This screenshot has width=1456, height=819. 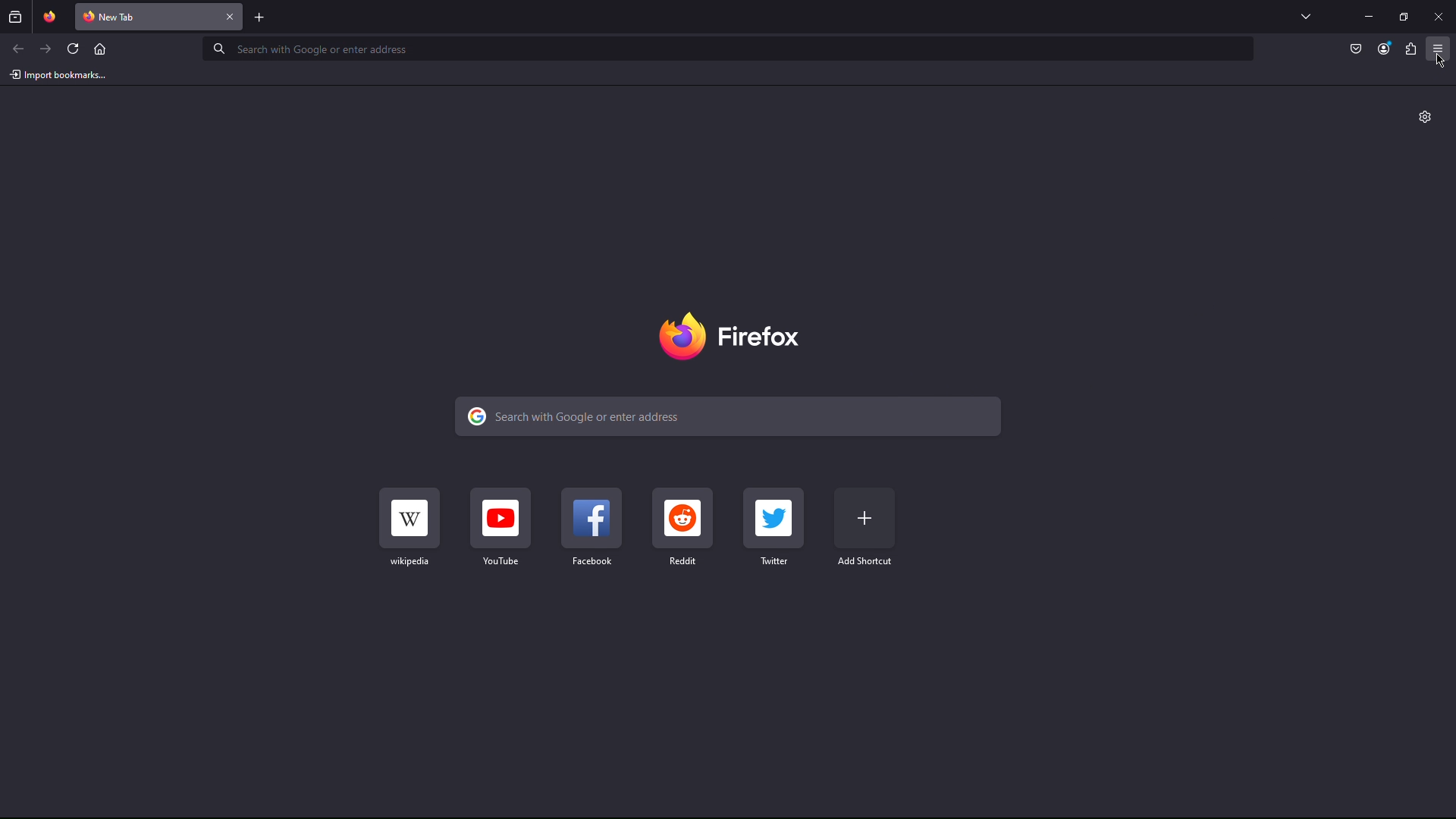 What do you see at coordinates (727, 416) in the screenshot?
I see `Search bar` at bounding box center [727, 416].